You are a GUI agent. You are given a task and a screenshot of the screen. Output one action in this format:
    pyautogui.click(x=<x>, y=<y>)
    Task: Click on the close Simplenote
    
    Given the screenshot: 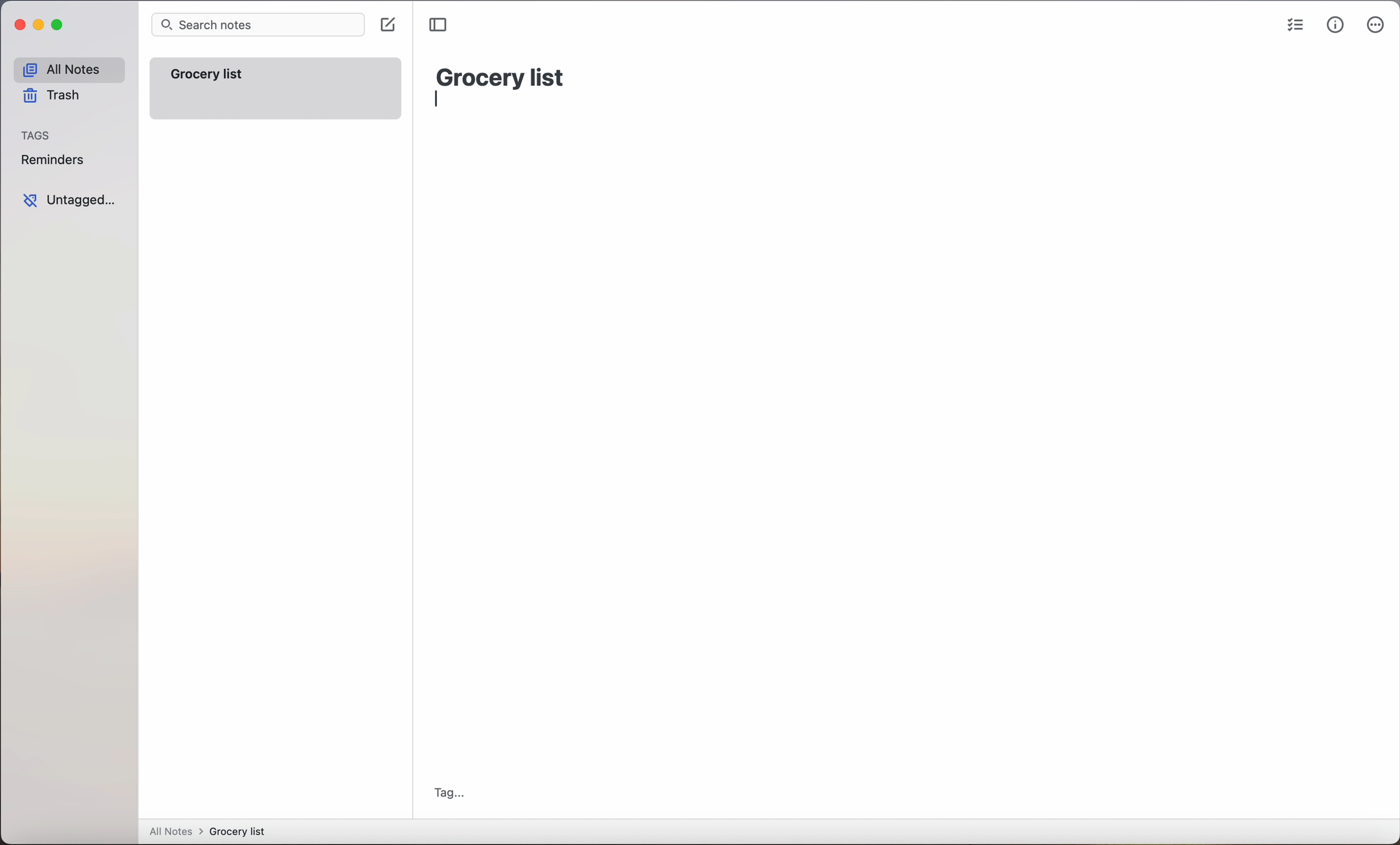 What is the action you would take?
    pyautogui.click(x=19, y=26)
    